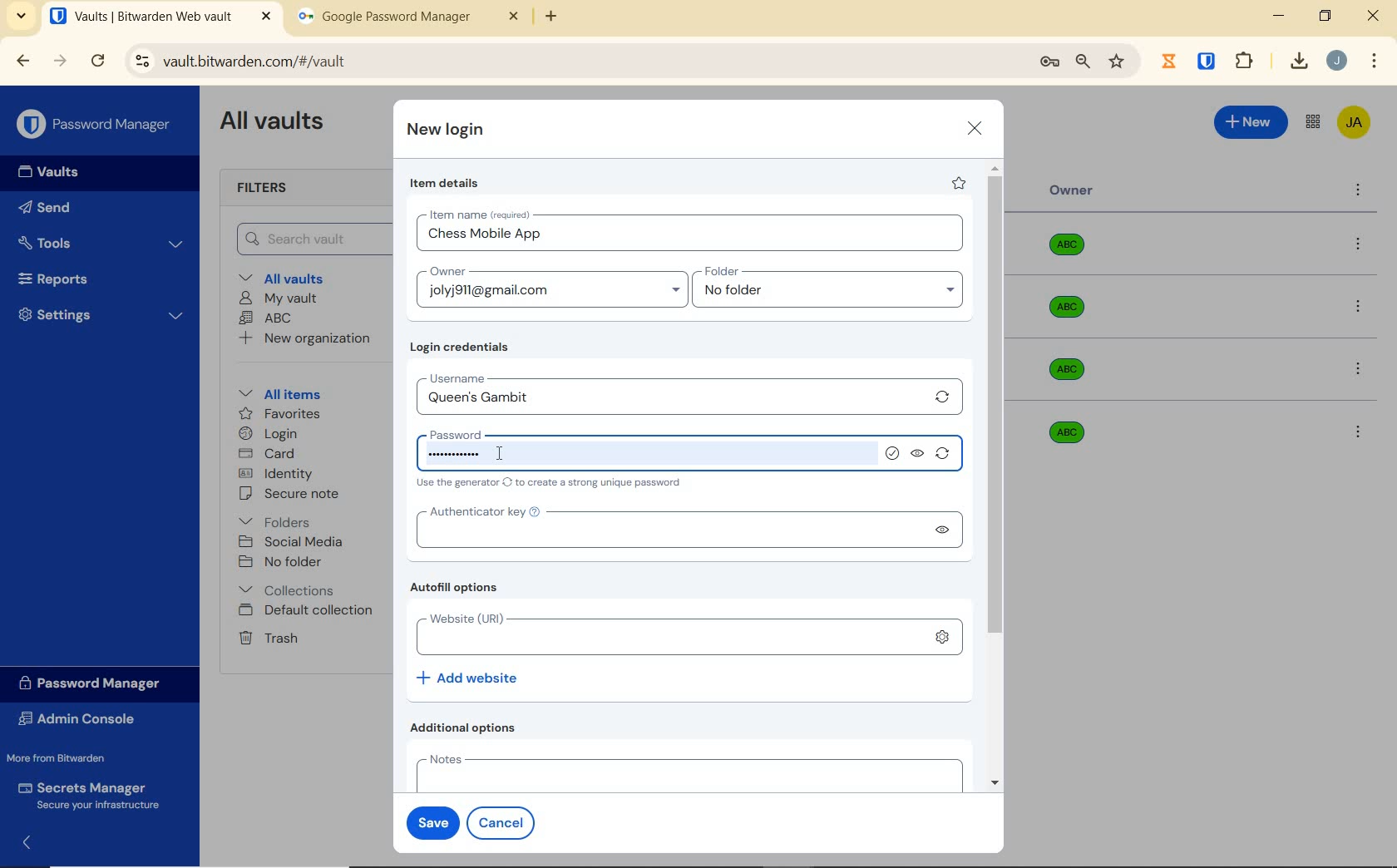 The height and width of the screenshot is (868, 1397). Describe the element at coordinates (97, 62) in the screenshot. I see `reload` at that location.